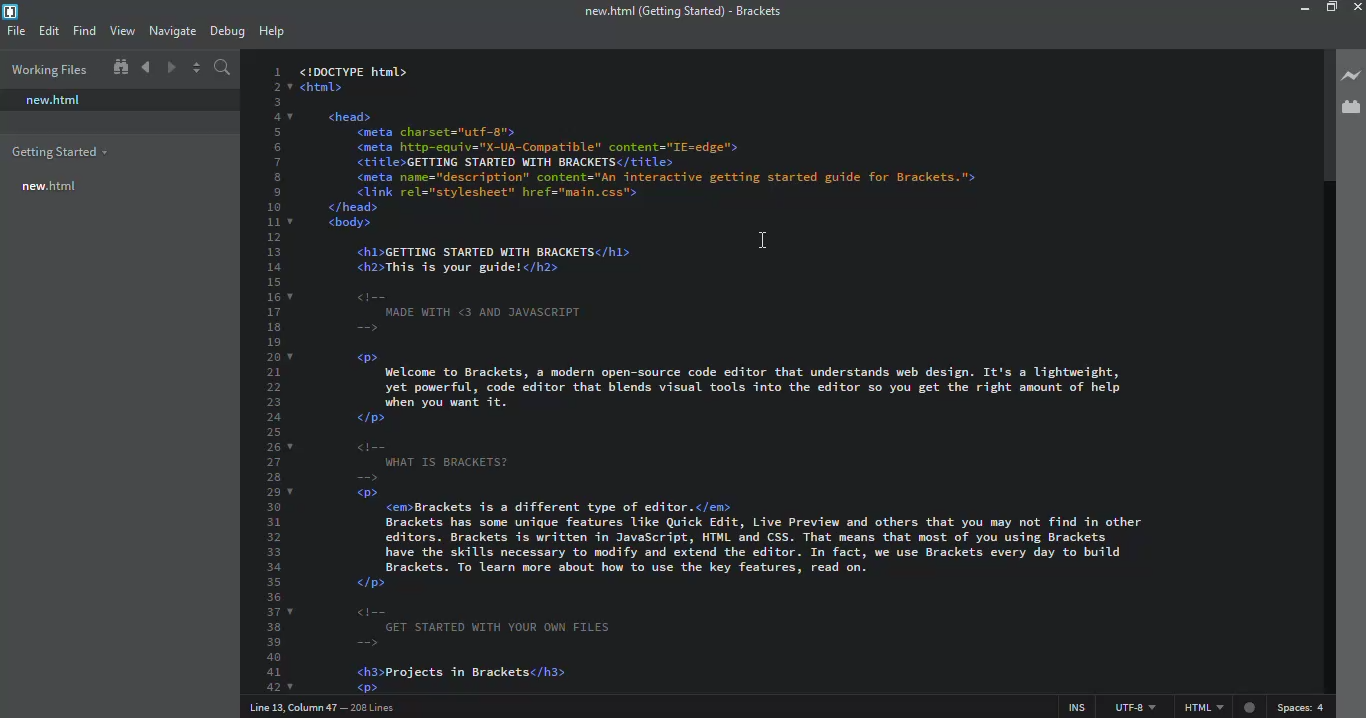  Describe the element at coordinates (1073, 706) in the screenshot. I see `ins` at that location.